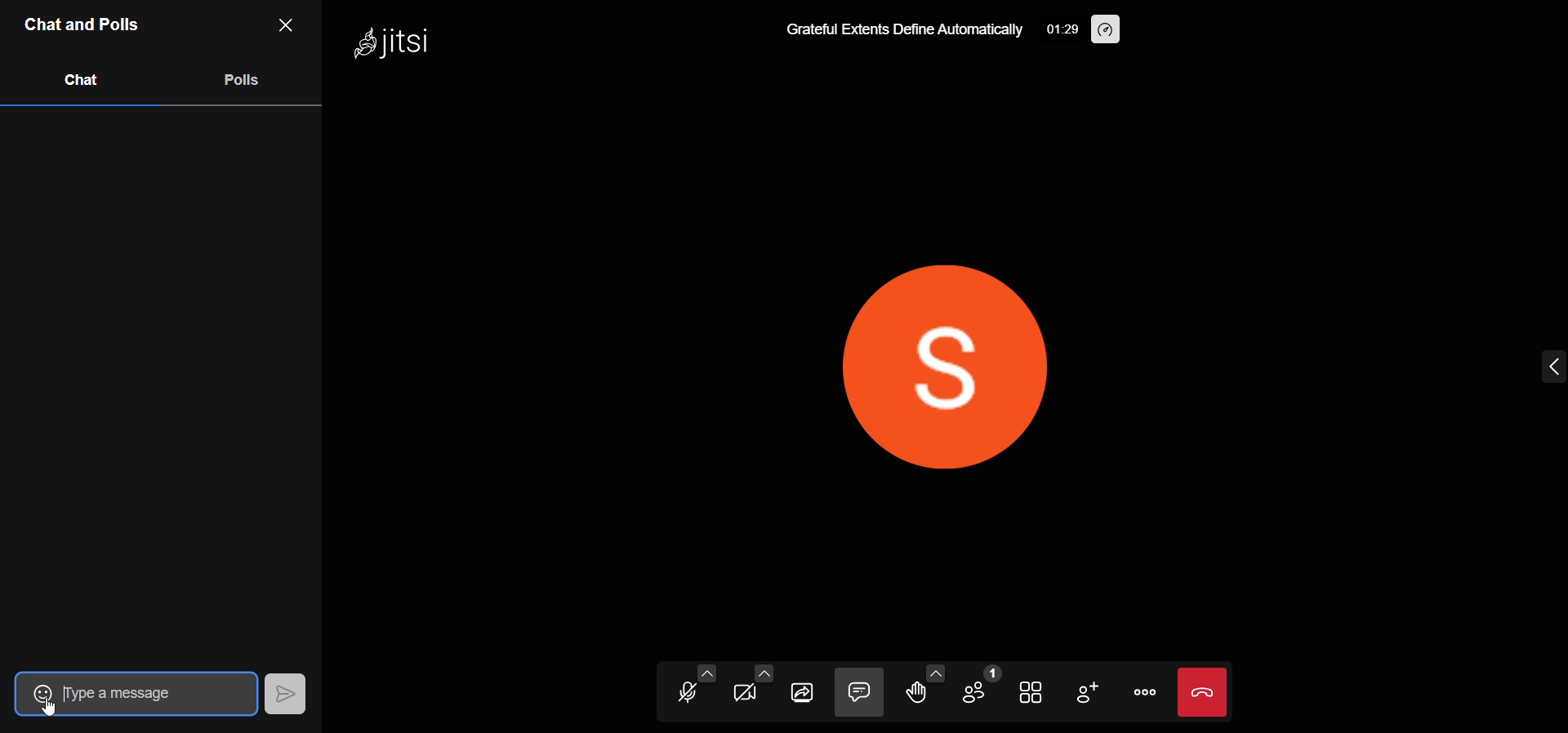 The width and height of the screenshot is (1568, 733). Describe the element at coordinates (981, 689) in the screenshot. I see `participants` at that location.